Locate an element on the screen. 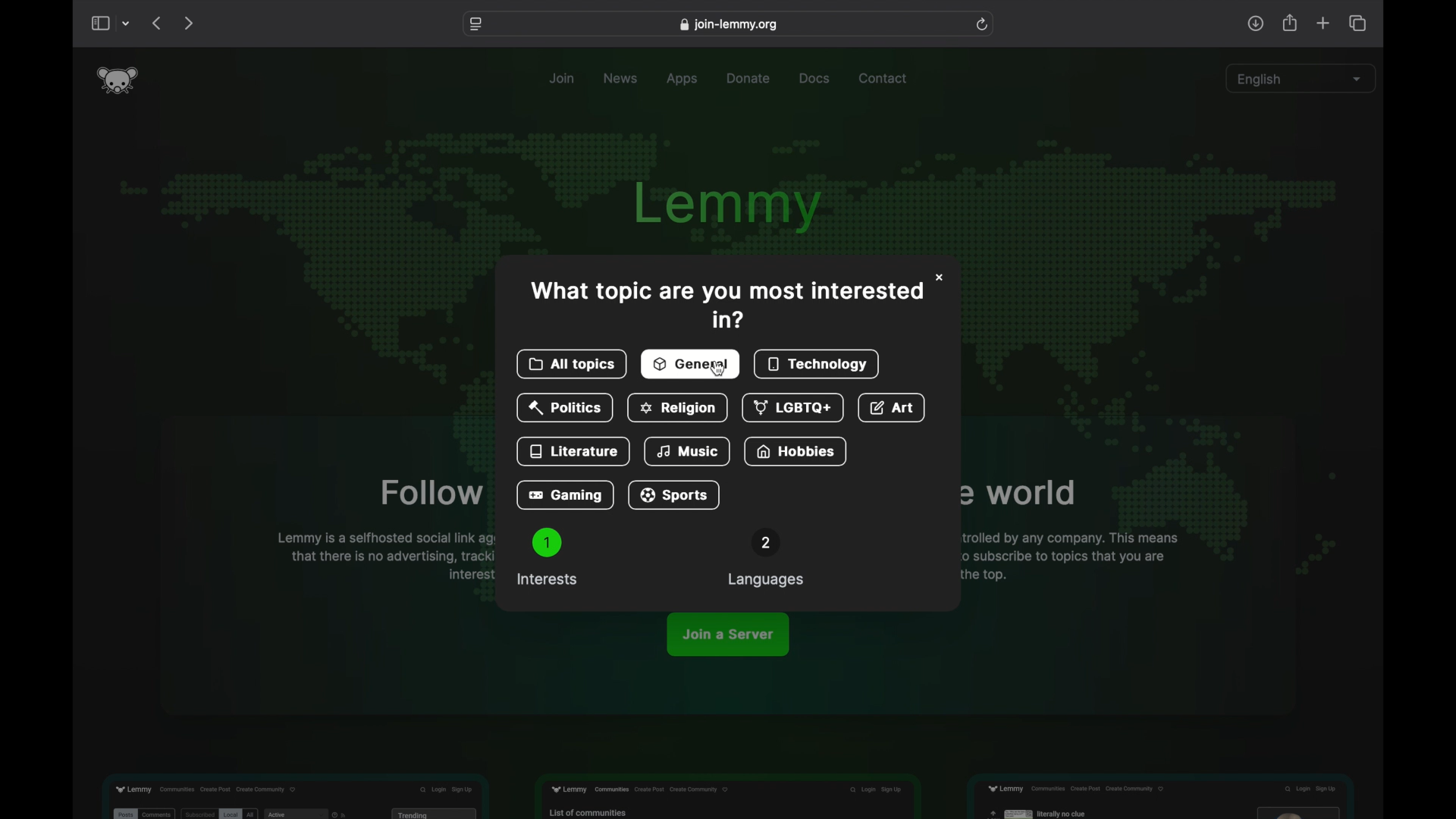  obscure text is located at coordinates (1018, 494).